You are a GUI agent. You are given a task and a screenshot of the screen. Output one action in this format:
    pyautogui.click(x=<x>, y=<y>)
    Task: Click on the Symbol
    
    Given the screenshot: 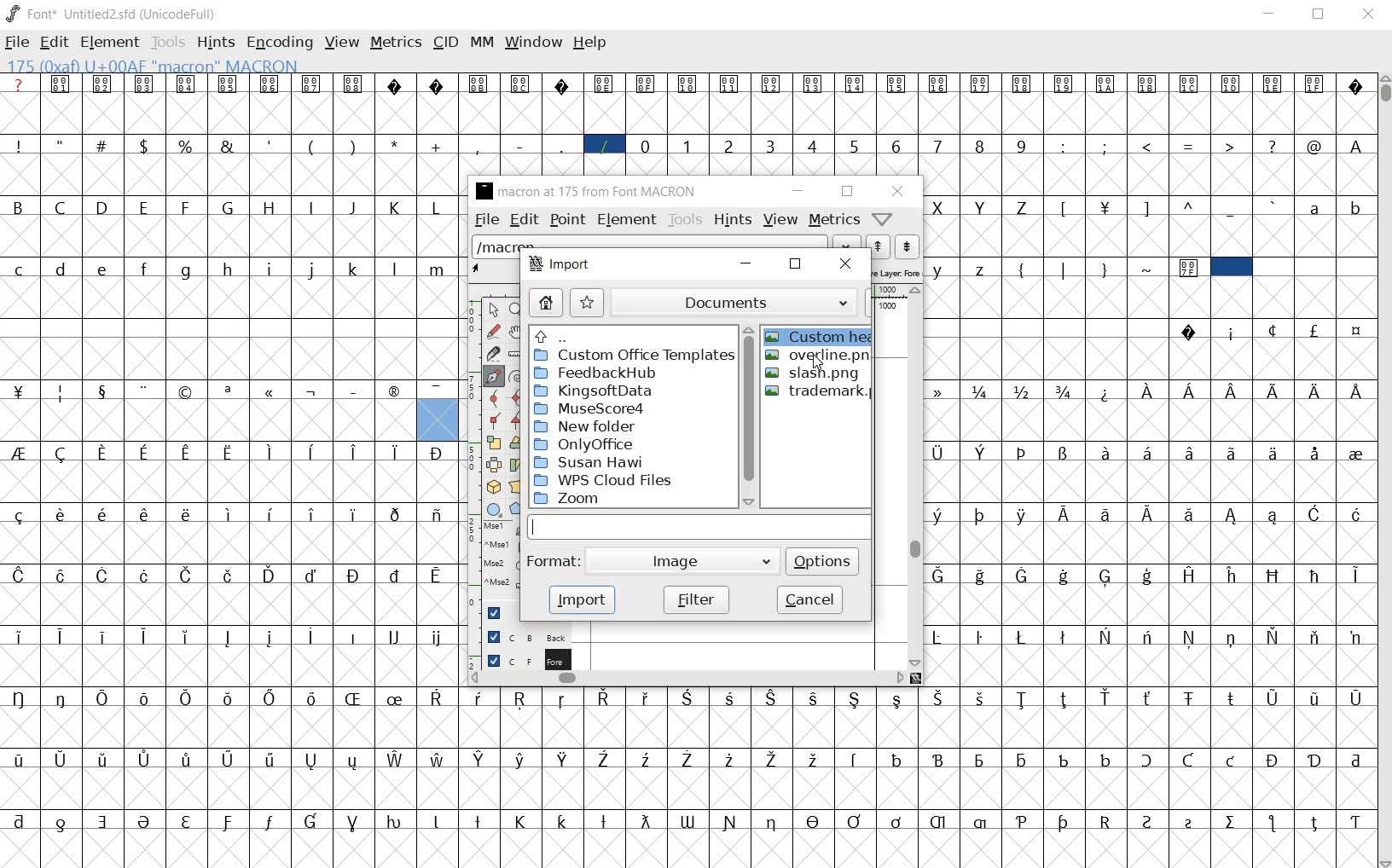 What is the action you would take?
    pyautogui.click(x=524, y=819)
    